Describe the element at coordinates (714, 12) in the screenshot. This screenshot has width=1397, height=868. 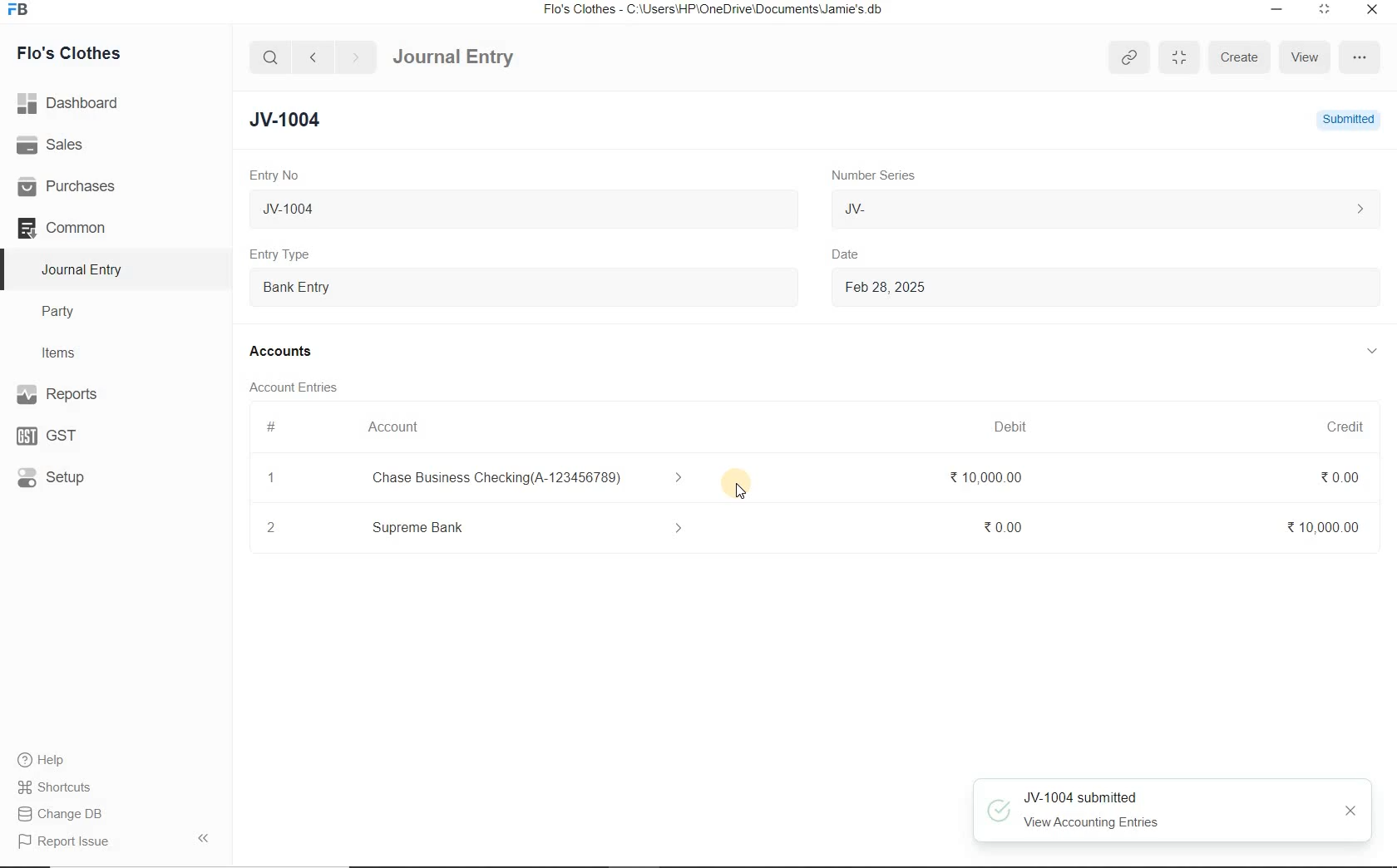
I see `Flo's Clothes - C:\Users\HP\OneDrive\Documents\Jamie's.db` at that location.